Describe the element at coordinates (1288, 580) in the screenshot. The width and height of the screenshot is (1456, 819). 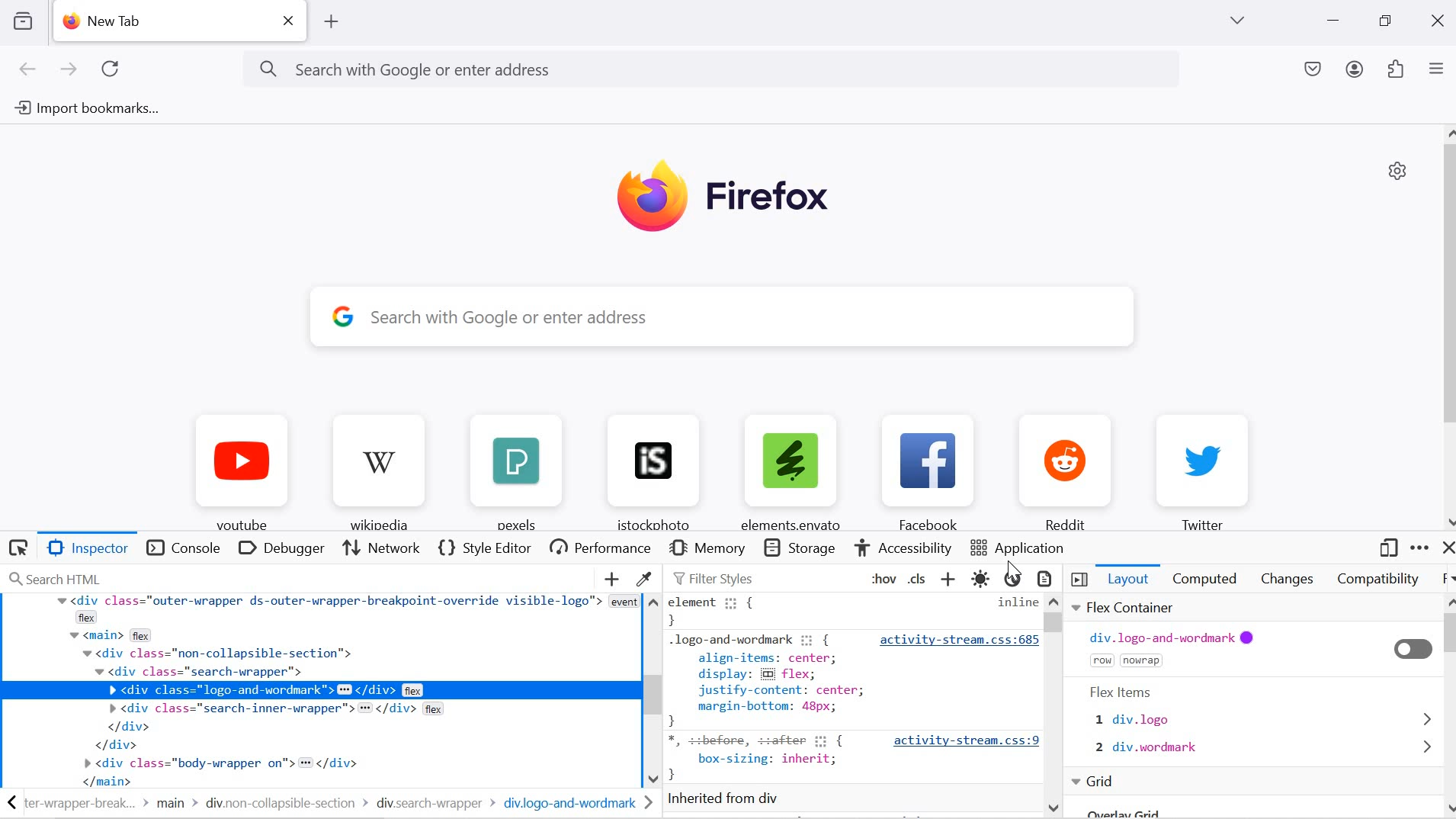
I see `changes` at that location.